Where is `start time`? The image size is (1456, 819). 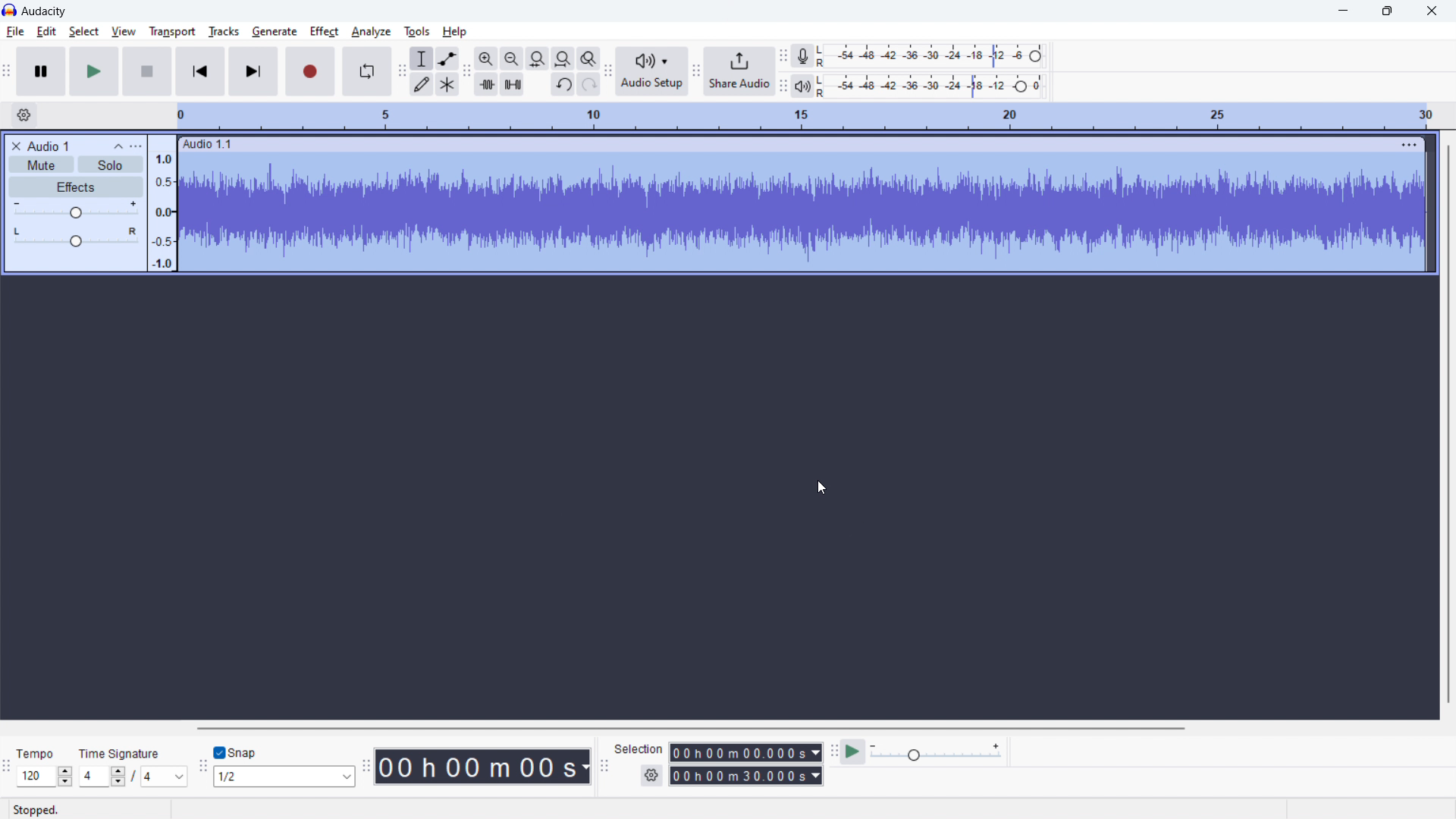 start time is located at coordinates (746, 752).